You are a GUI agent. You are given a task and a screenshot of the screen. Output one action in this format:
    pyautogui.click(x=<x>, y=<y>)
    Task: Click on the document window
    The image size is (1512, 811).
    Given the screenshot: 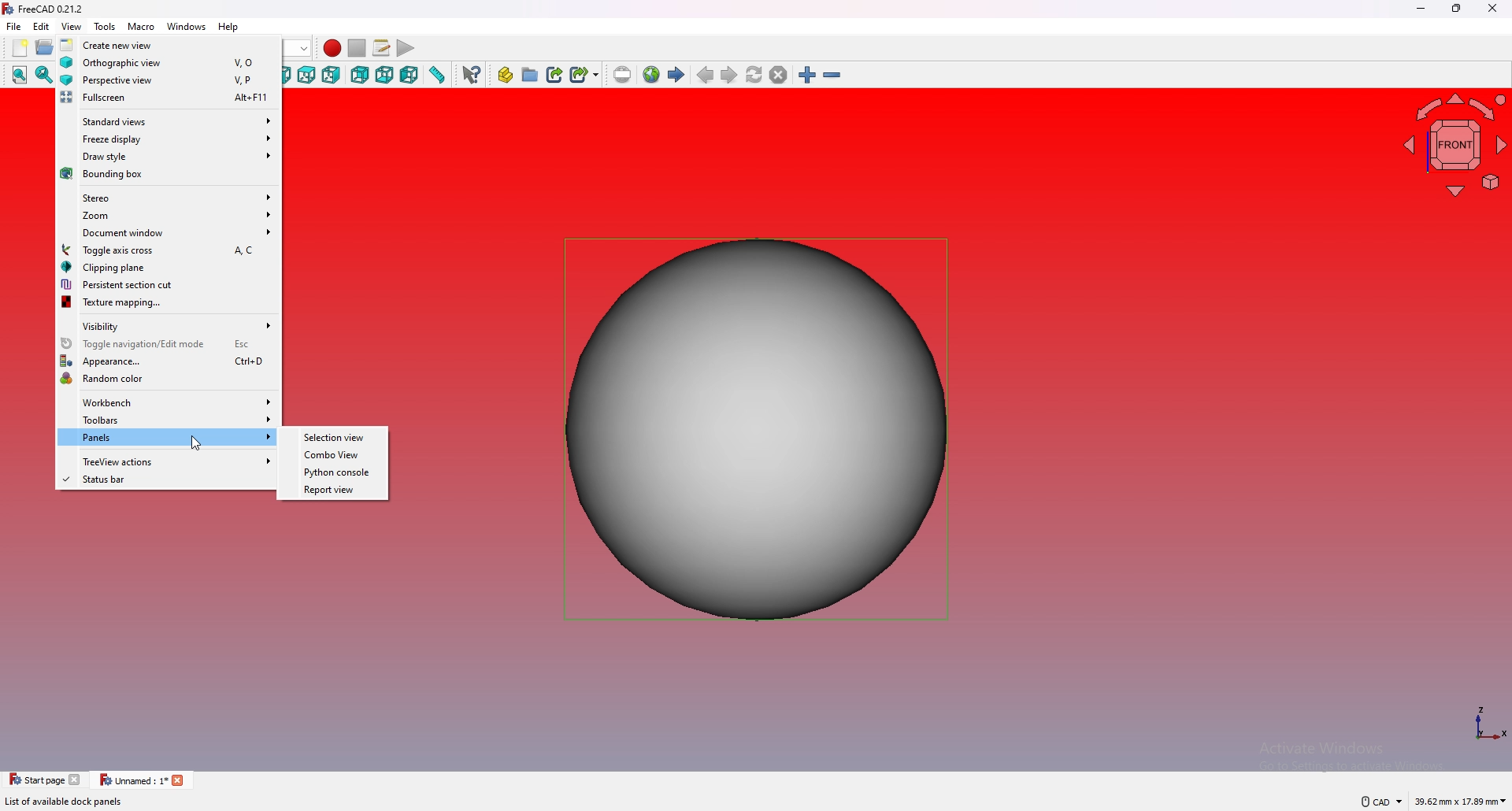 What is the action you would take?
    pyautogui.click(x=169, y=232)
    